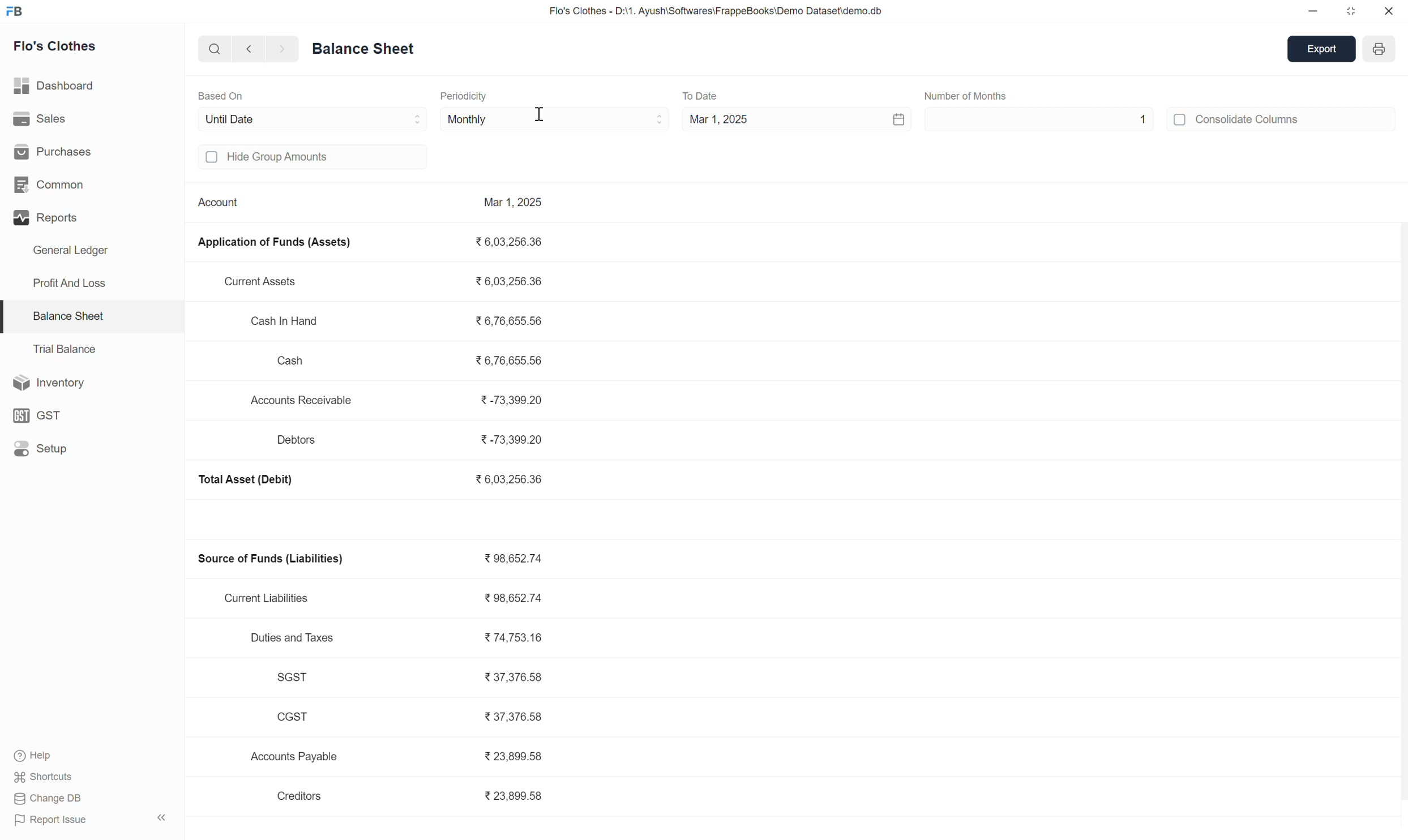 This screenshot has width=1408, height=840. Describe the element at coordinates (972, 97) in the screenshot. I see `Number of Months` at that location.